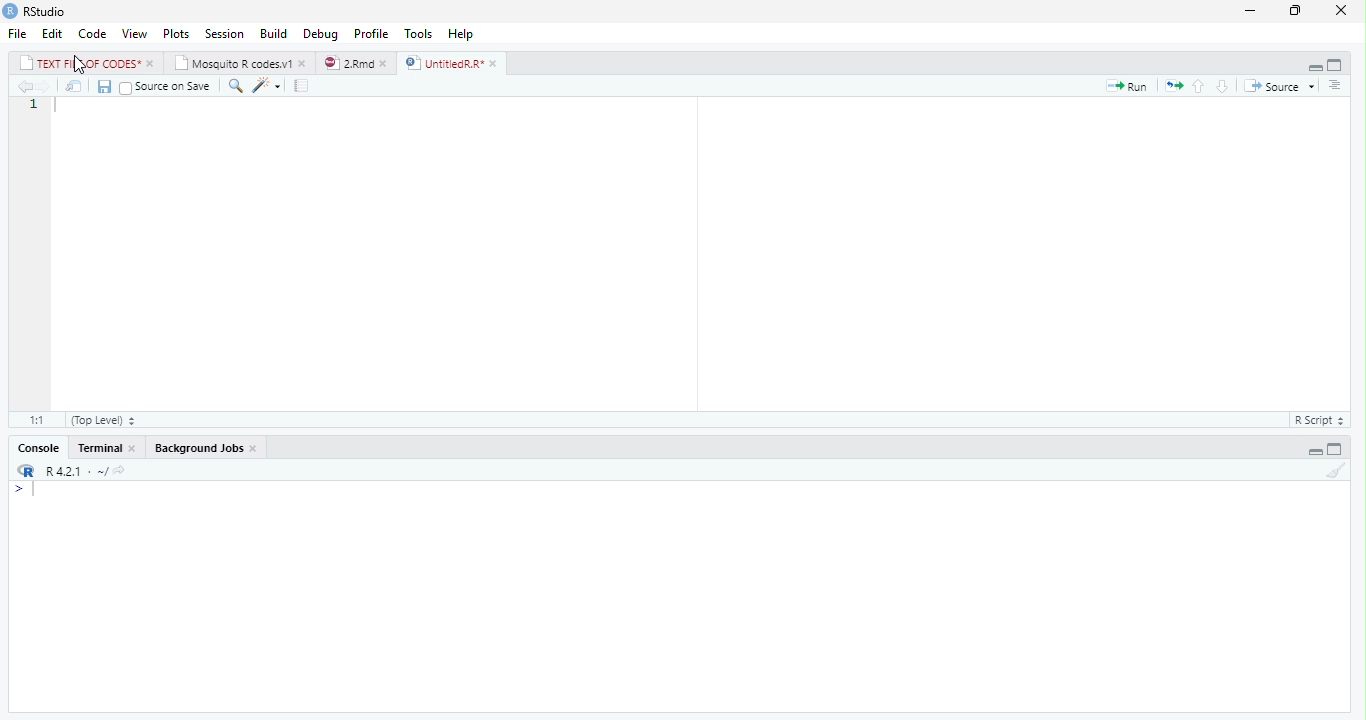 The width and height of the screenshot is (1366, 720). Describe the element at coordinates (74, 87) in the screenshot. I see `Open in new window` at that location.